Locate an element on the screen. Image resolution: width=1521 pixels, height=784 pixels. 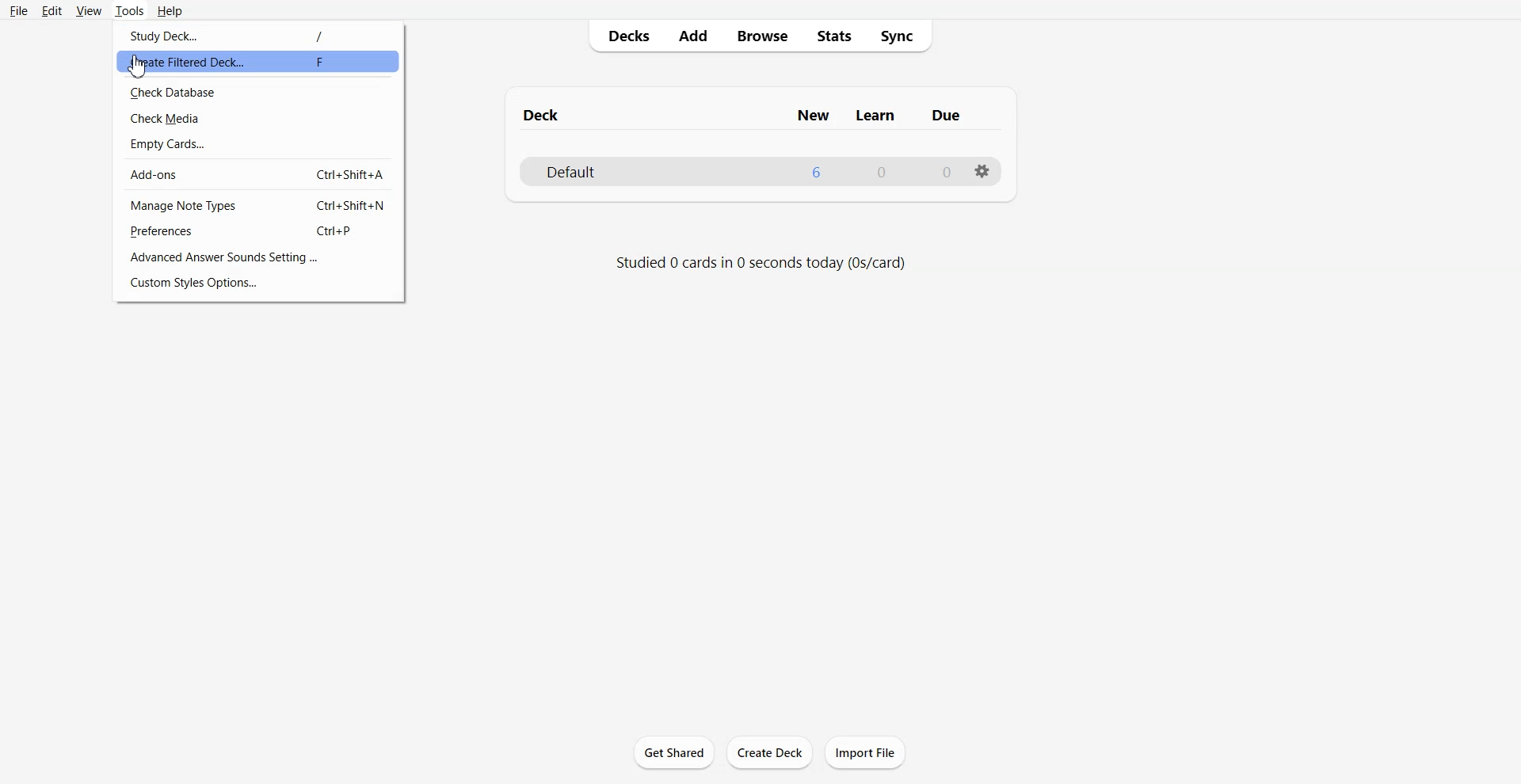
Advanced Answer Sound settings is located at coordinates (259, 257).